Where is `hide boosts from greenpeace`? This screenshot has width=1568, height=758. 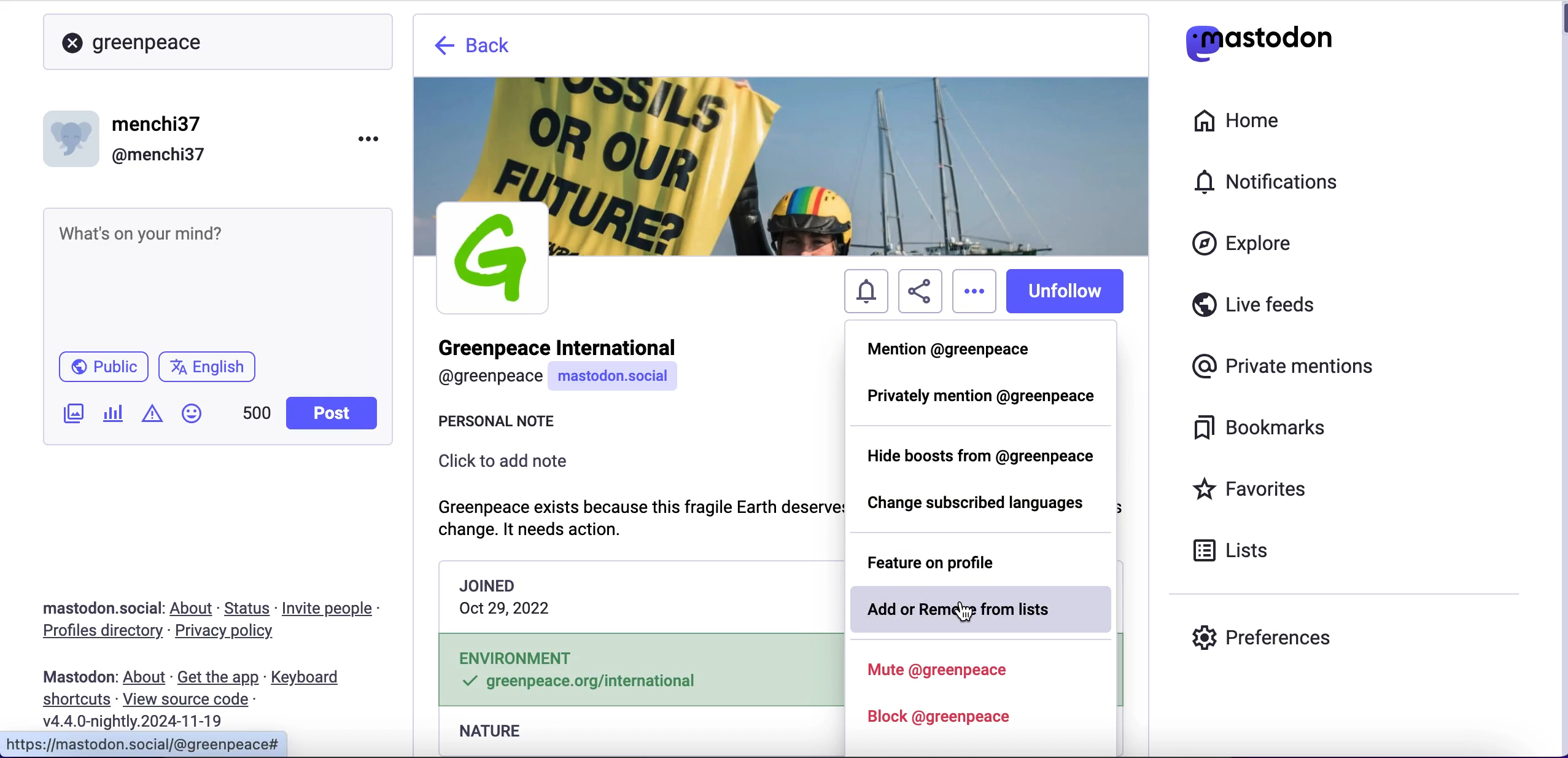
hide boosts from greenpeace is located at coordinates (983, 456).